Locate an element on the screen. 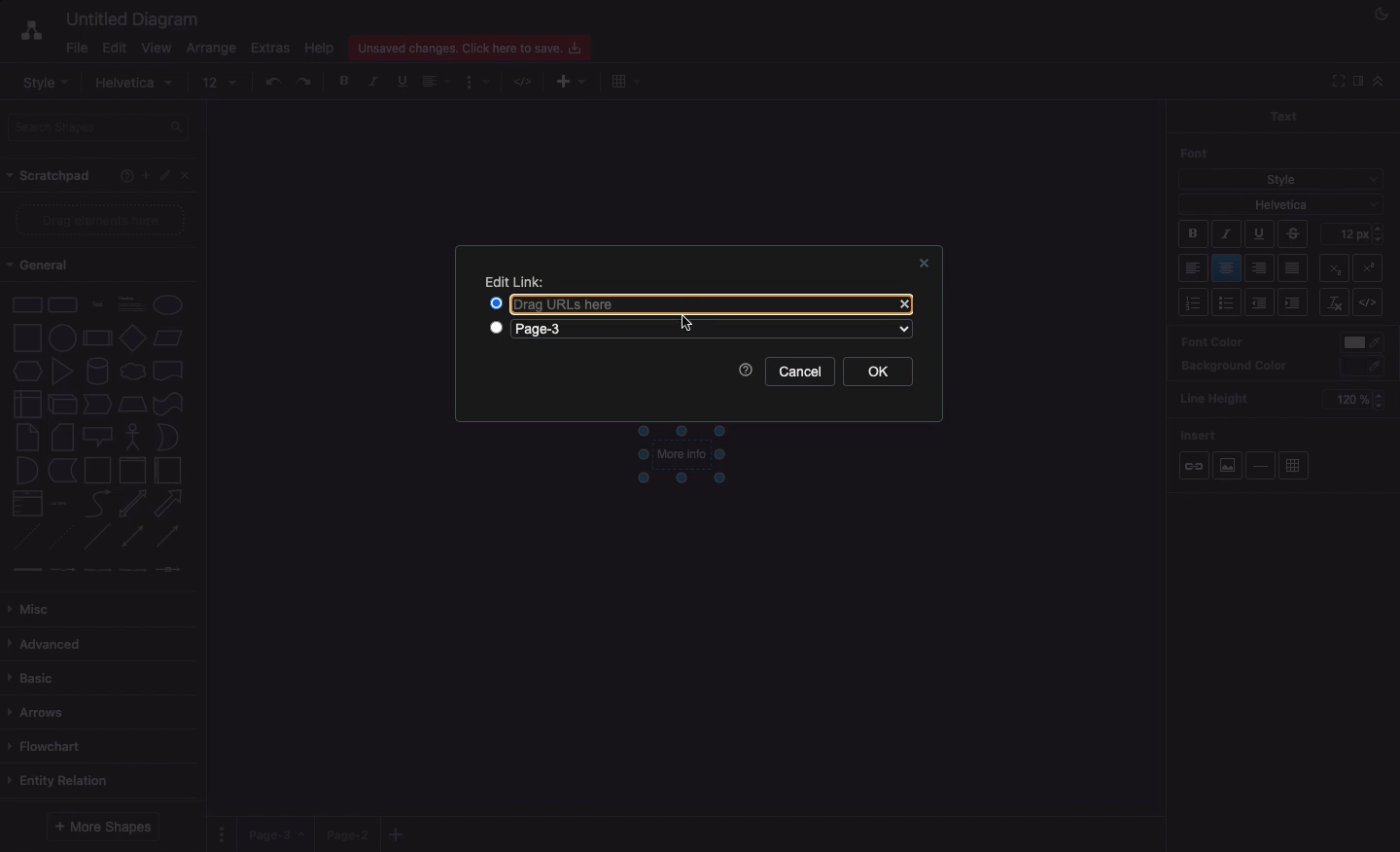 The height and width of the screenshot is (852, 1400). text is located at coordinates (98, 306).